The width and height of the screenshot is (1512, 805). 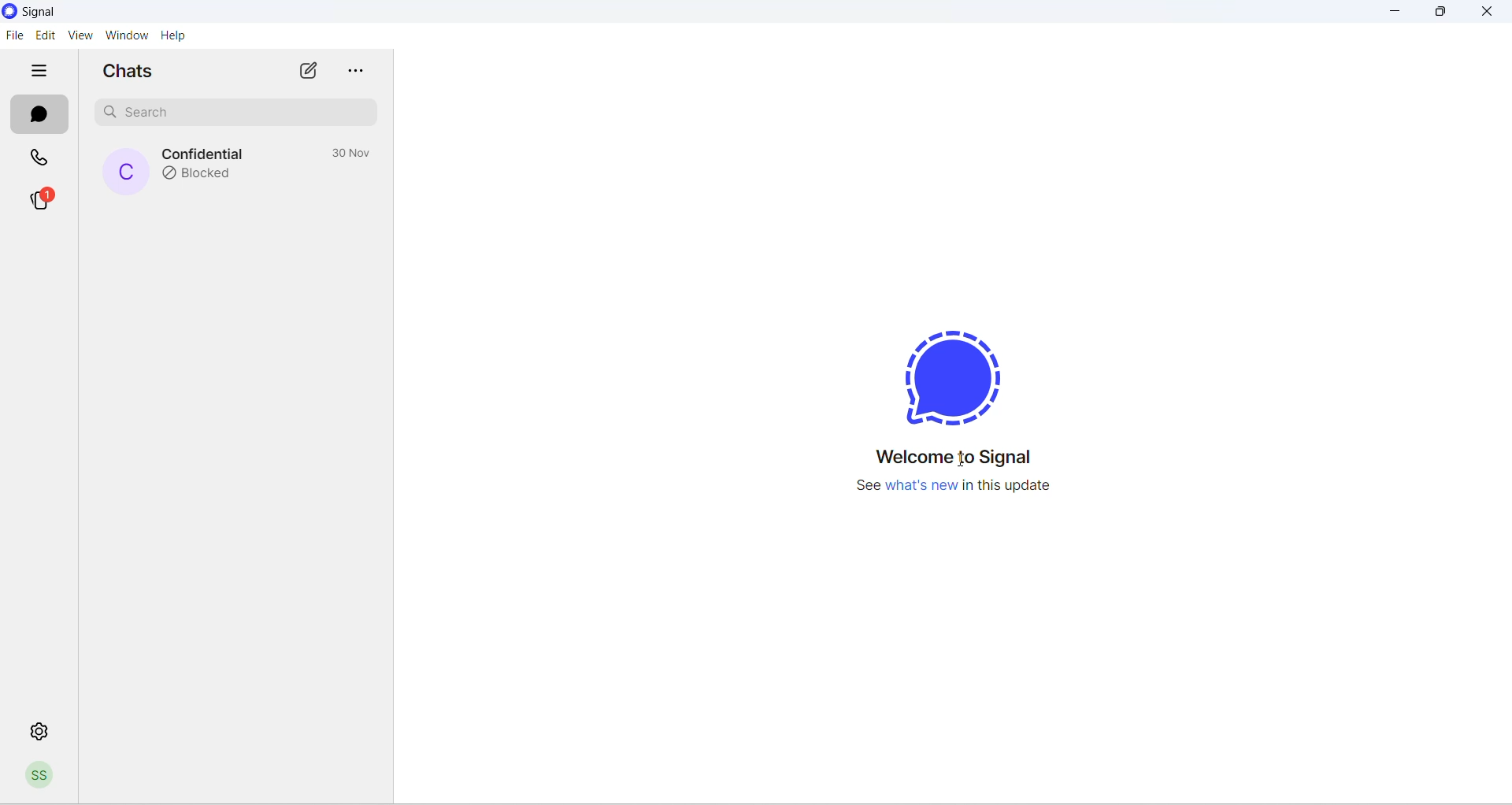 What do you see at coordinates (124, 170) in the screenshot?
I see `profile picture` at bounding box center [124, 170].